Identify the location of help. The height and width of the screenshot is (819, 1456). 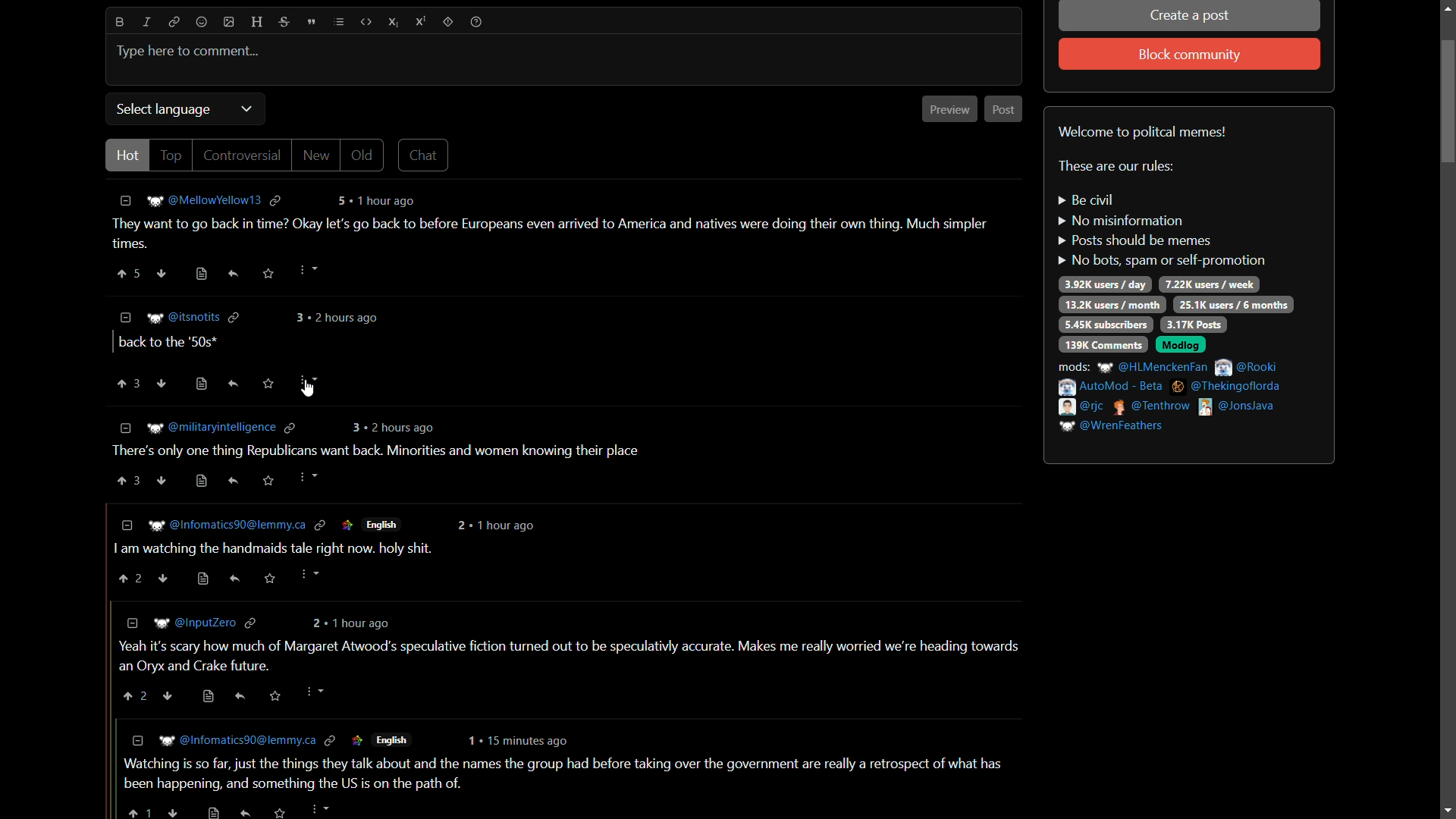
(476, 22).